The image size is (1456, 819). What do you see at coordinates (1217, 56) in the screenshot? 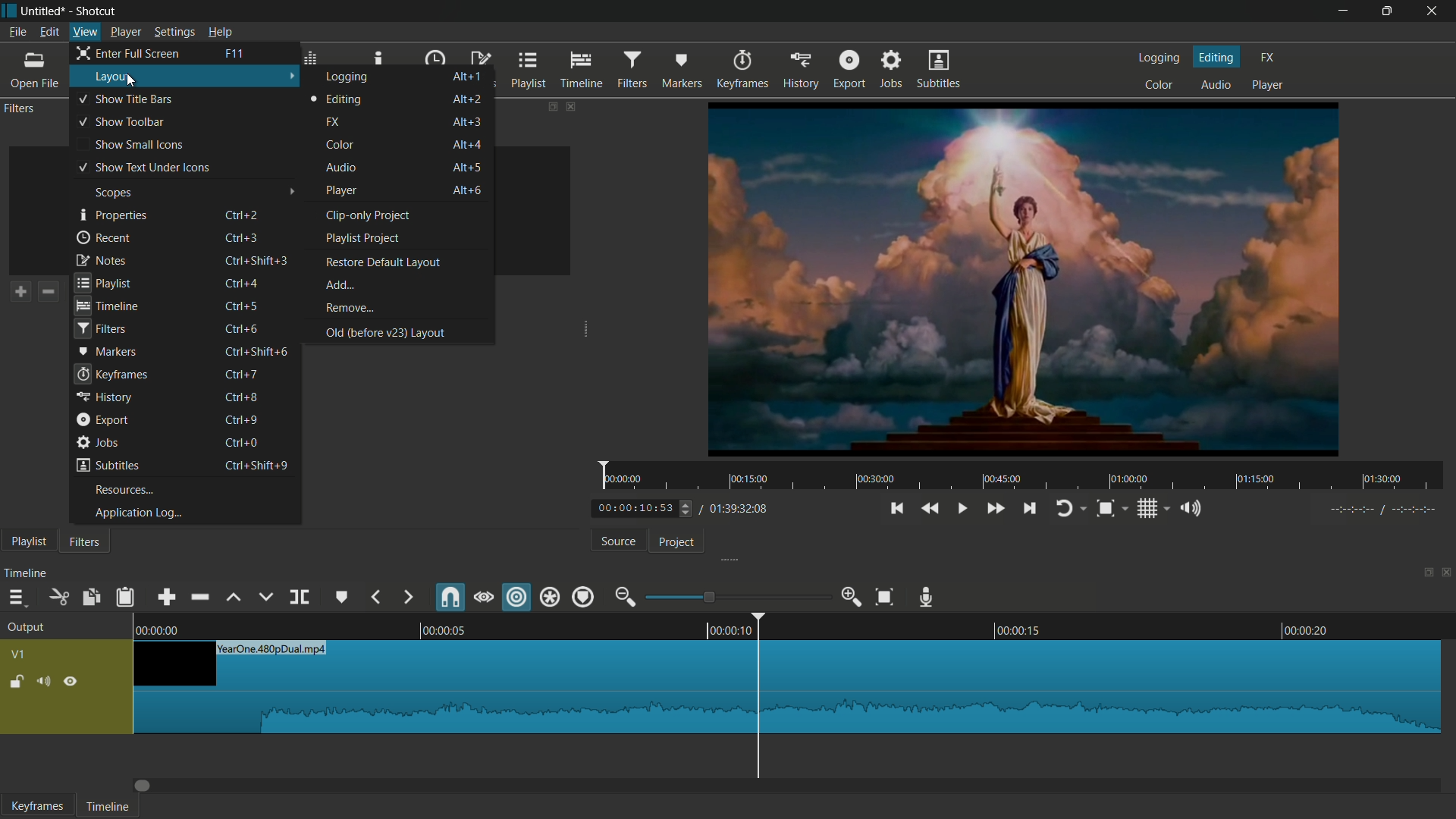
I see `editing` at bounding box center [1217, 56].